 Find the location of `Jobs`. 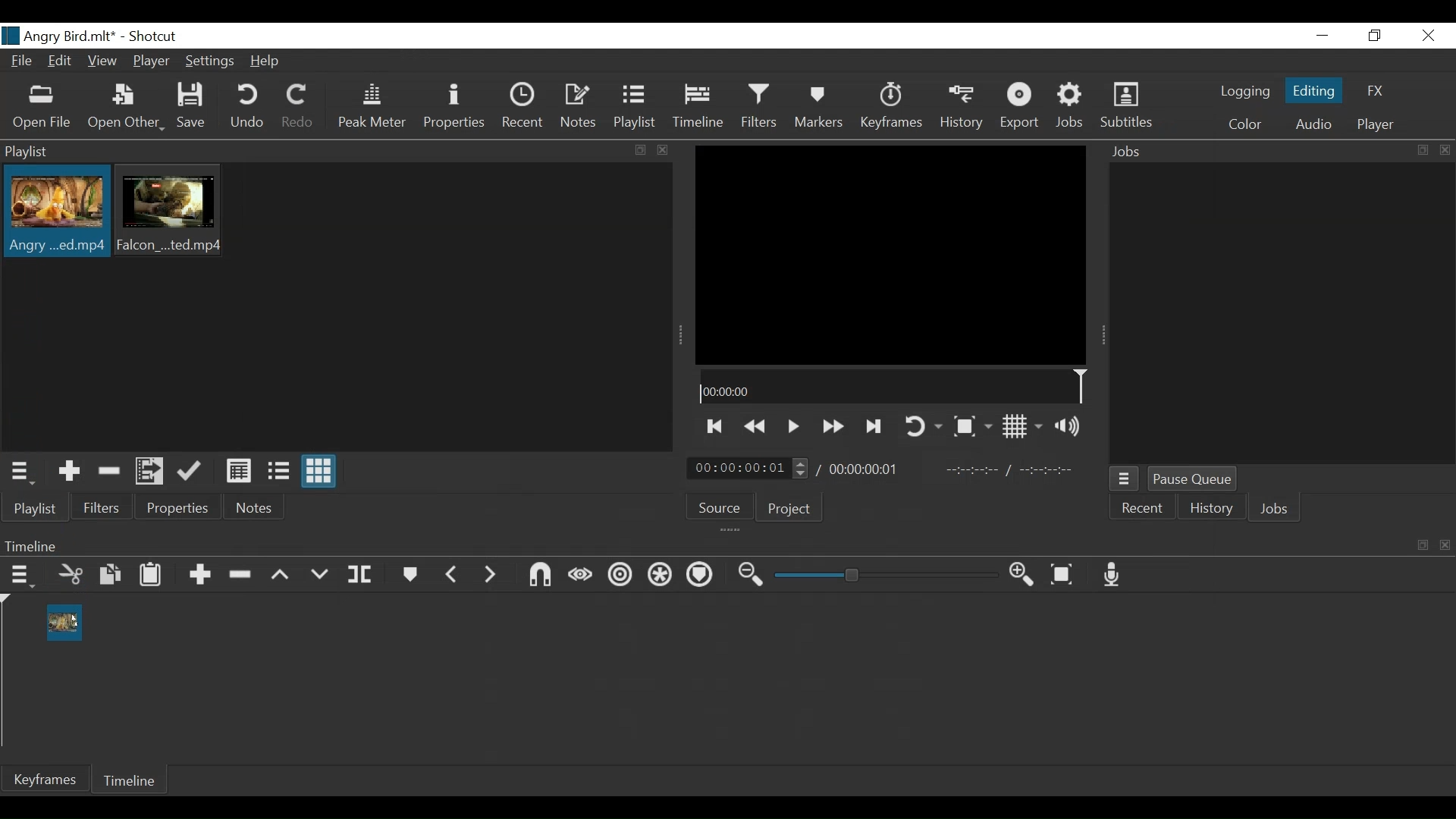

Jobs is located at coordinates (1072, 108).